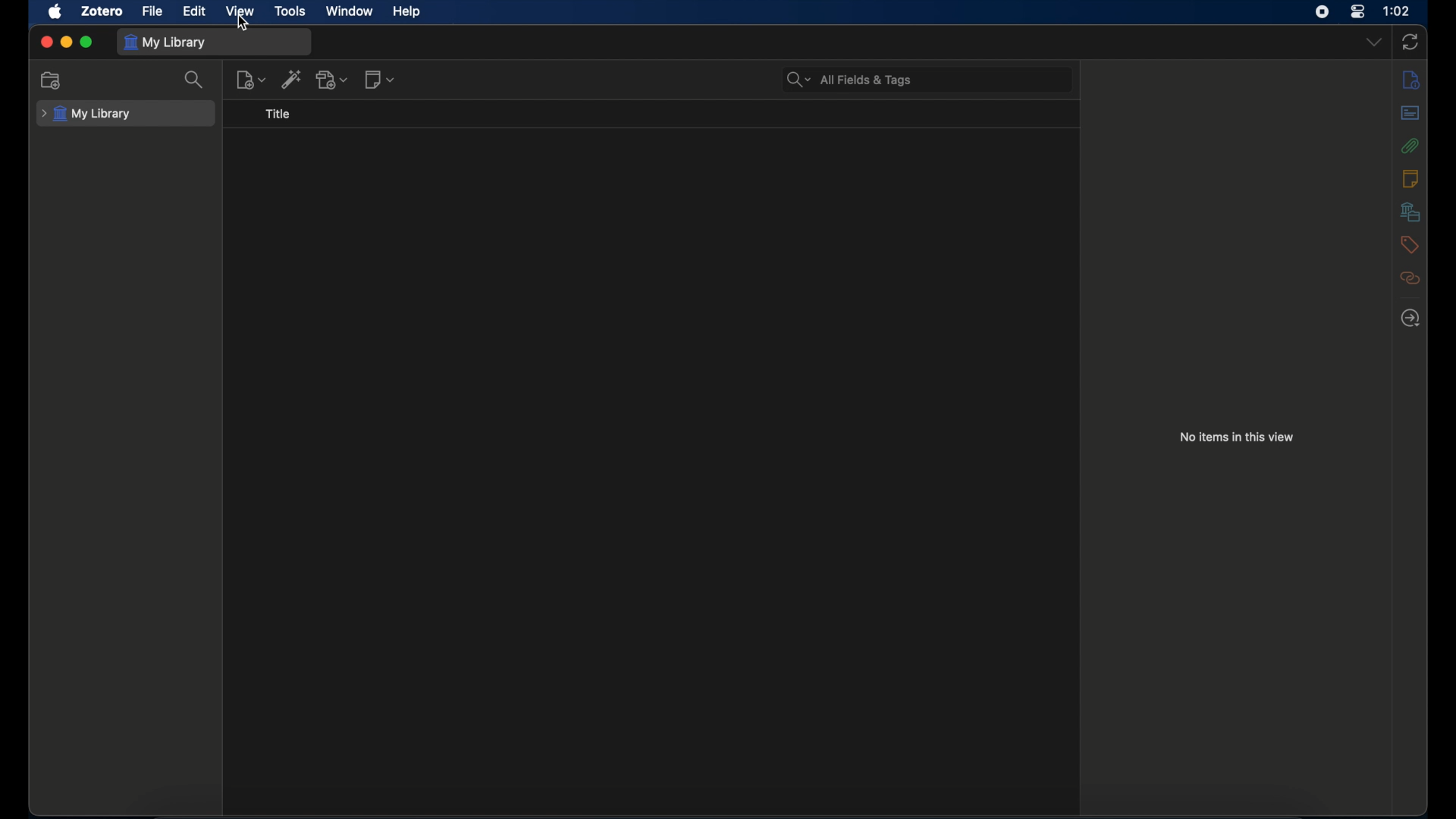  What do you see at coordinates (292, 79) in the screenshot?
I see `add item by identifier` at bounding box center [292, 79].